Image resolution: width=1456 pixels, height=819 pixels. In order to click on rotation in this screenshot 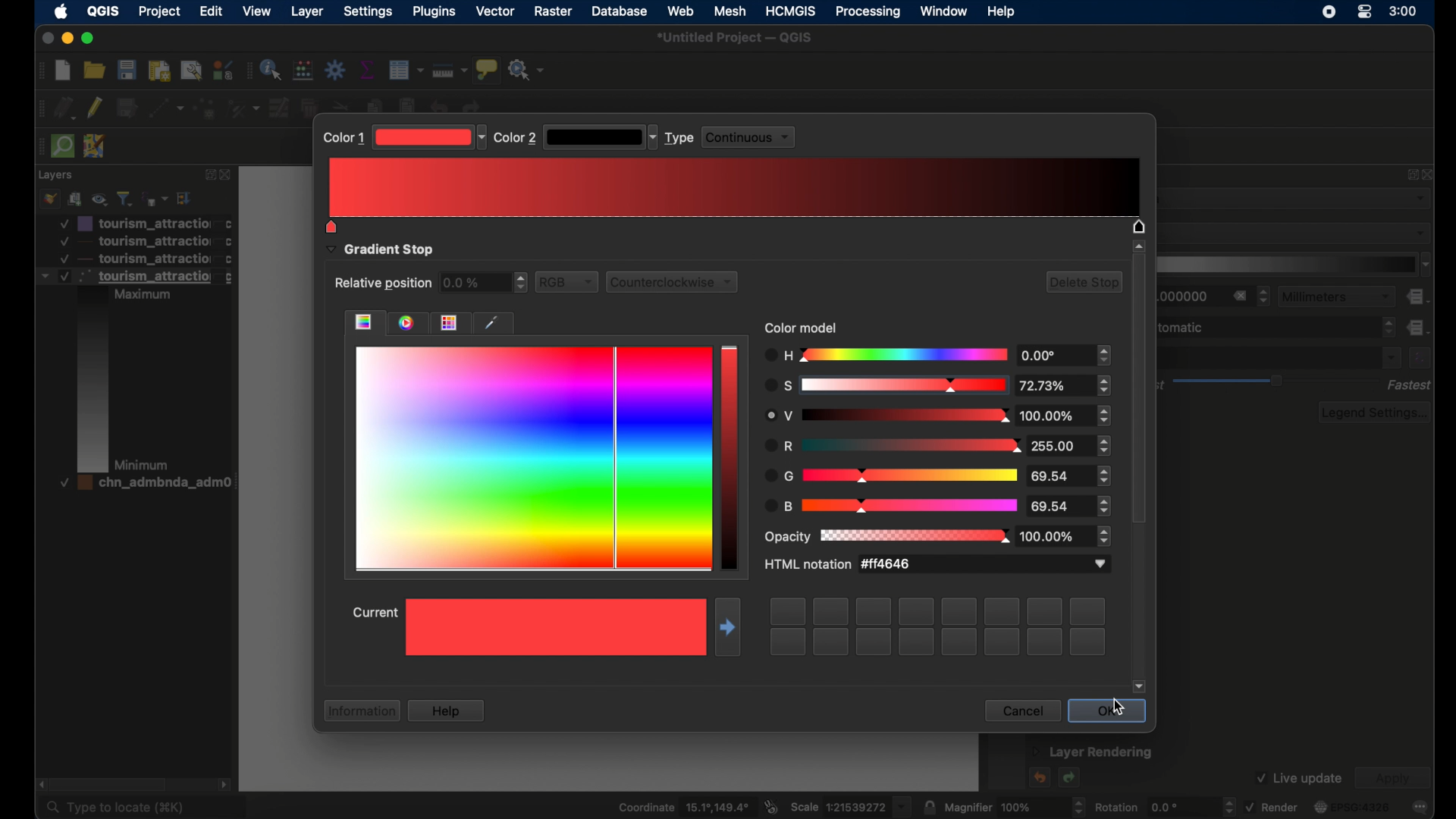, I will do `click(1163, 806)`.